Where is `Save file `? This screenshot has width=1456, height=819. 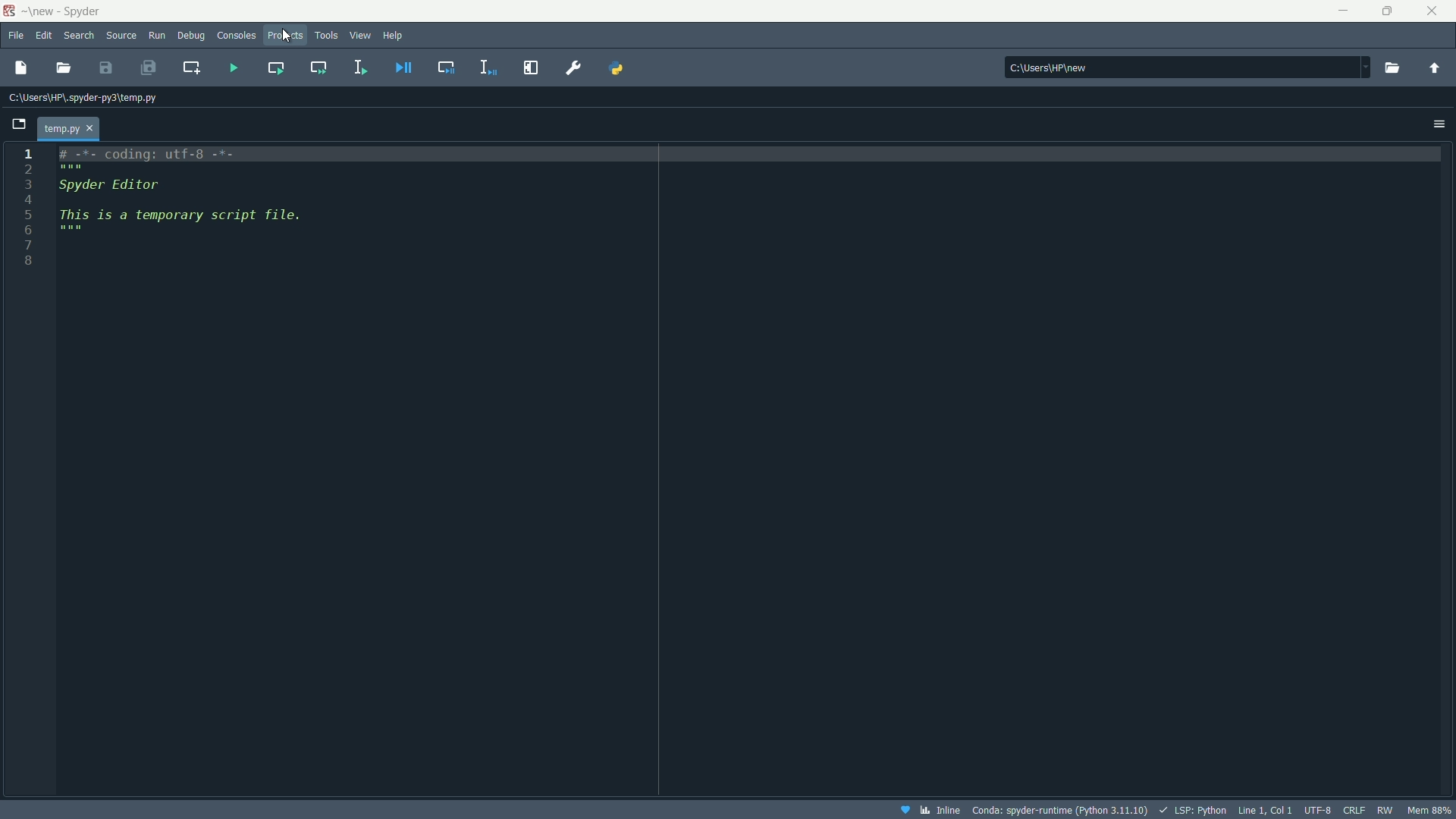 Save file  is located at coordinates (108, 69).